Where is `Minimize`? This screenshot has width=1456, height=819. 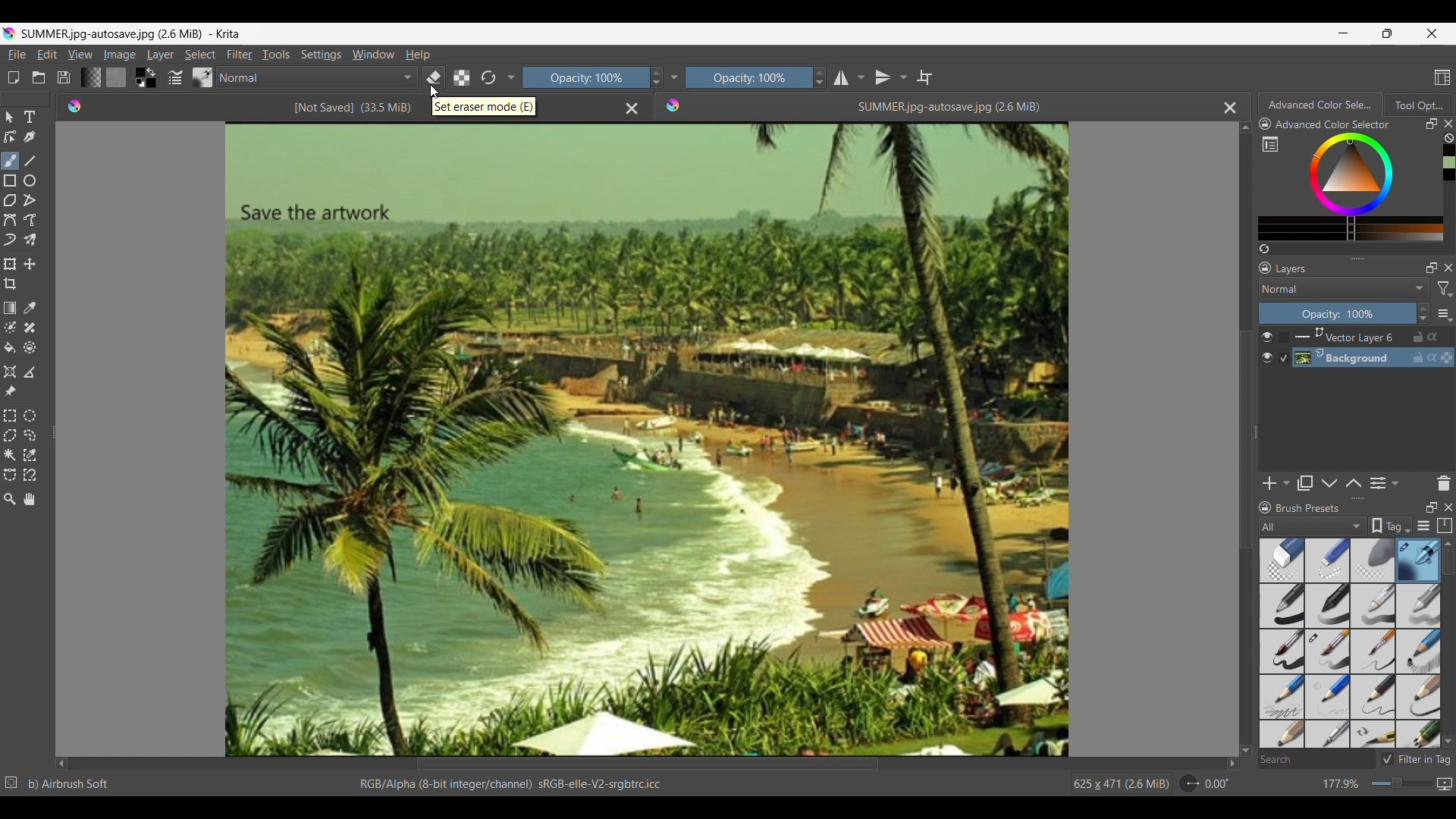
Minimize is located at coordinates (1344, 33).